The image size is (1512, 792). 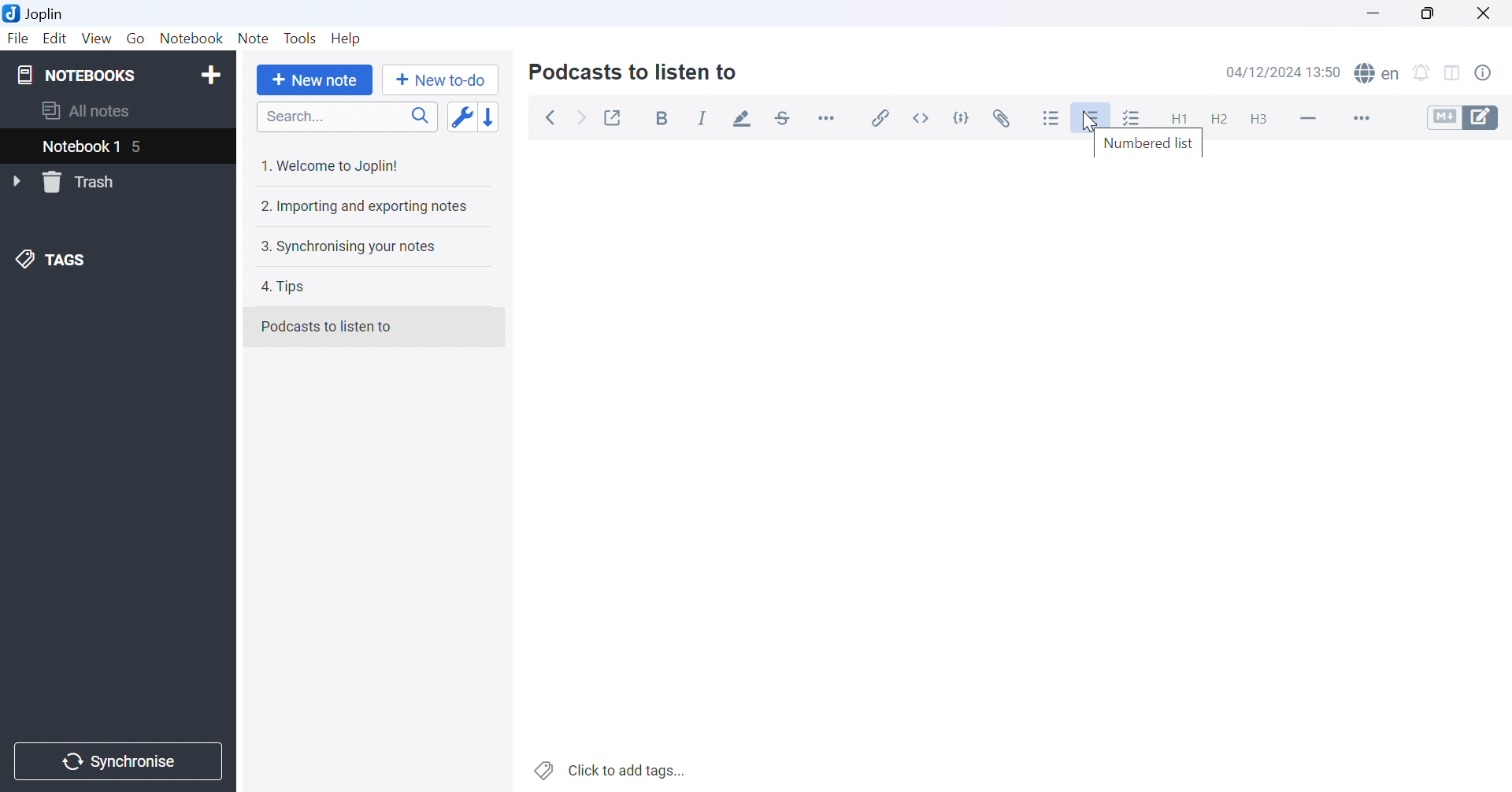 What do you see at coordinates (76, 73) in the screenshot?
I see `NOTEBOOKS` at bounding box center [76, 73].